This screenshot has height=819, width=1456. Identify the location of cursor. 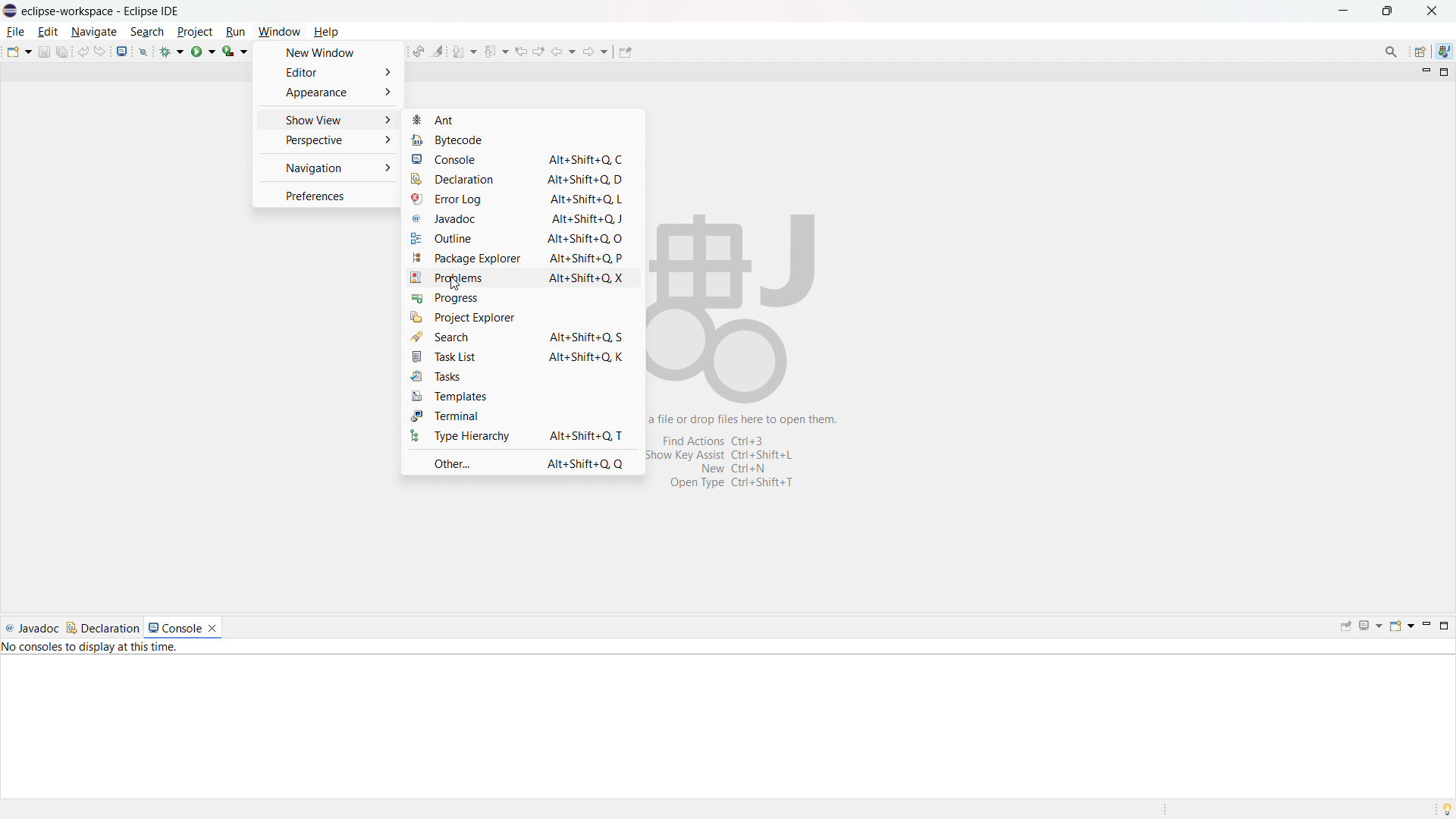
(454, 284).